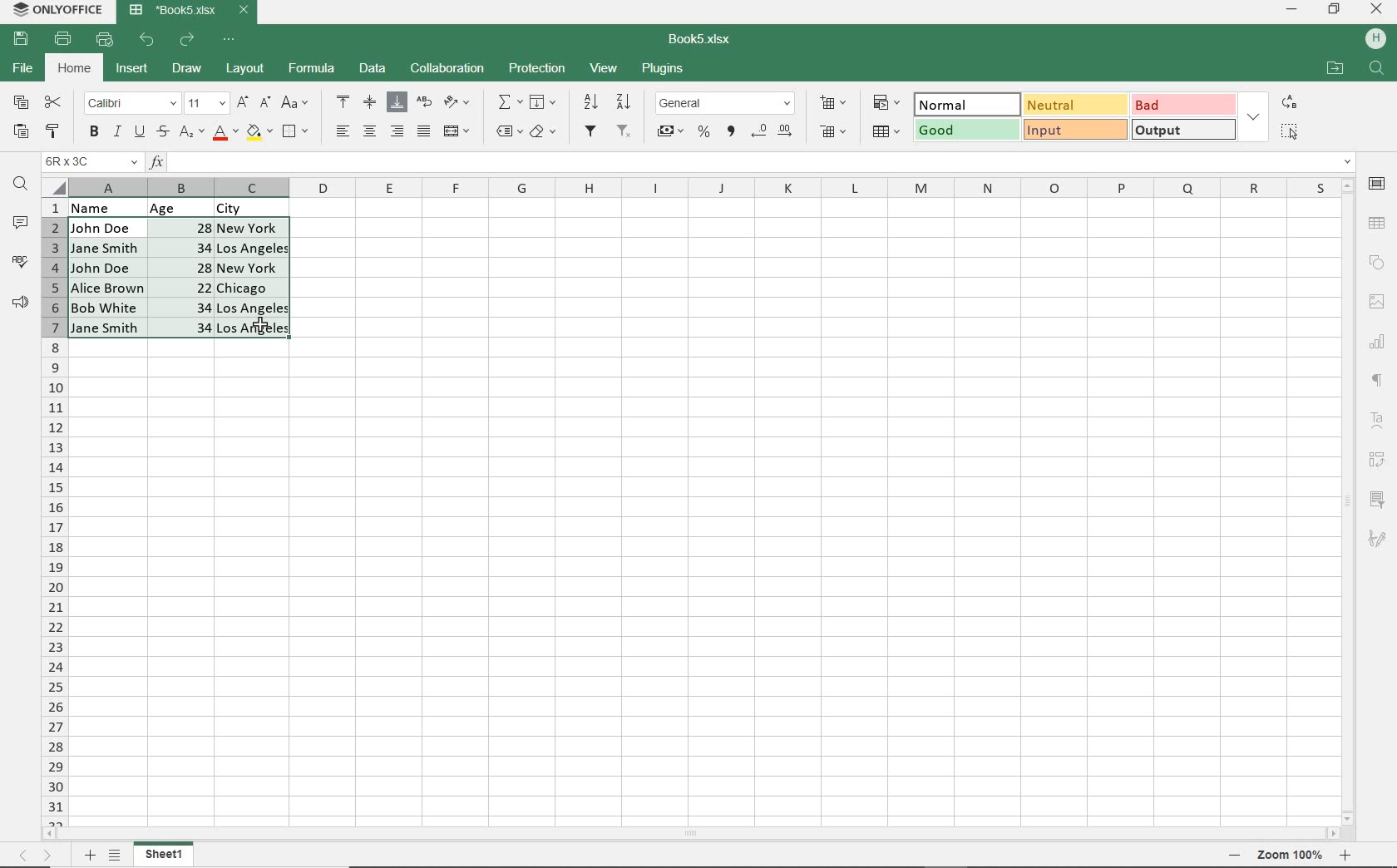 Image resolution: width=1397 pixels, height=868 pixels. What do you see at coordinates (116, 131) in the screenshot?
I see `ITALIC` at bounding box center [116, 131].